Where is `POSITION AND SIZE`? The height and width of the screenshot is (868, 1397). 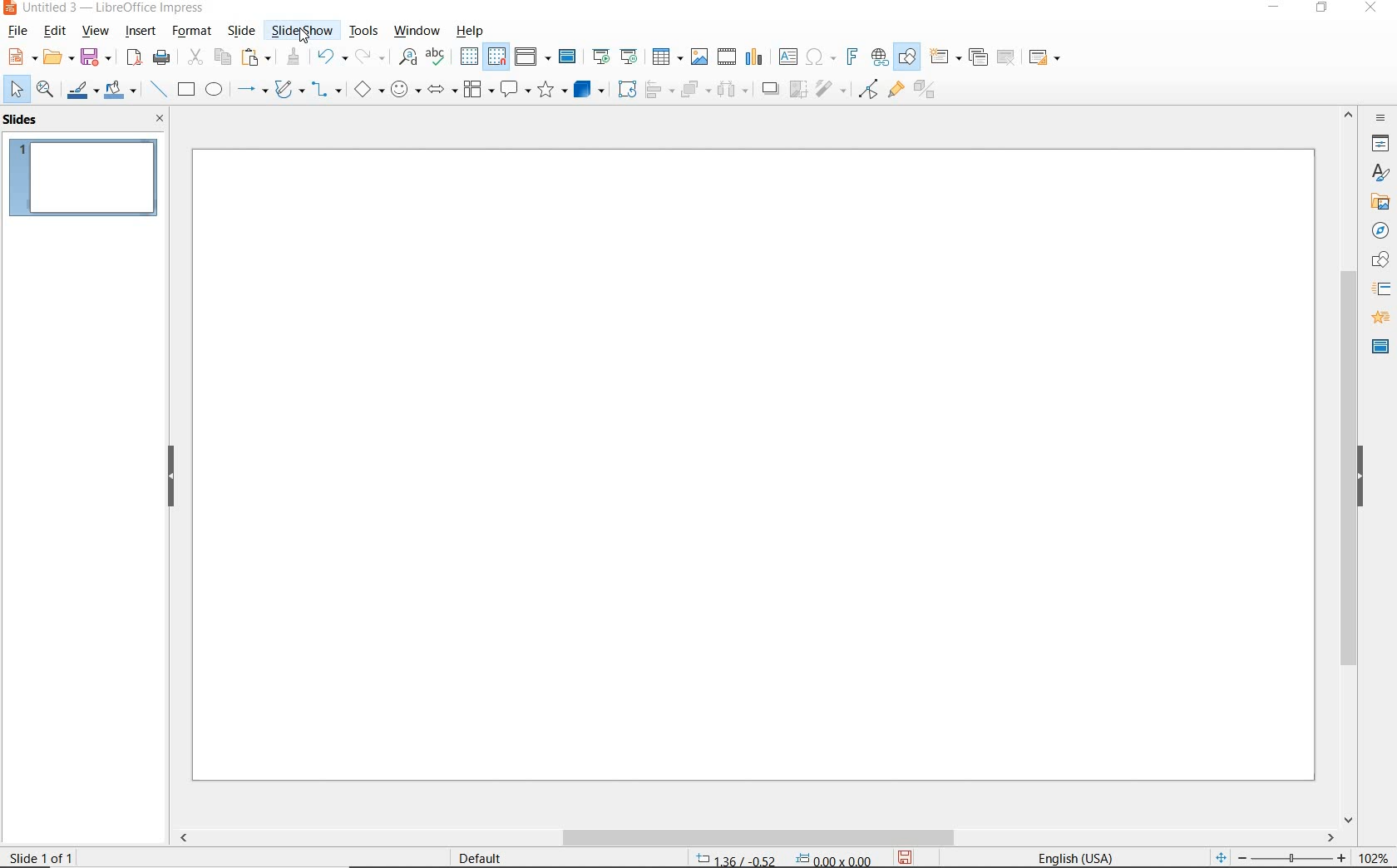
POSITION AND SIZE is located at coordinates (781, 857).